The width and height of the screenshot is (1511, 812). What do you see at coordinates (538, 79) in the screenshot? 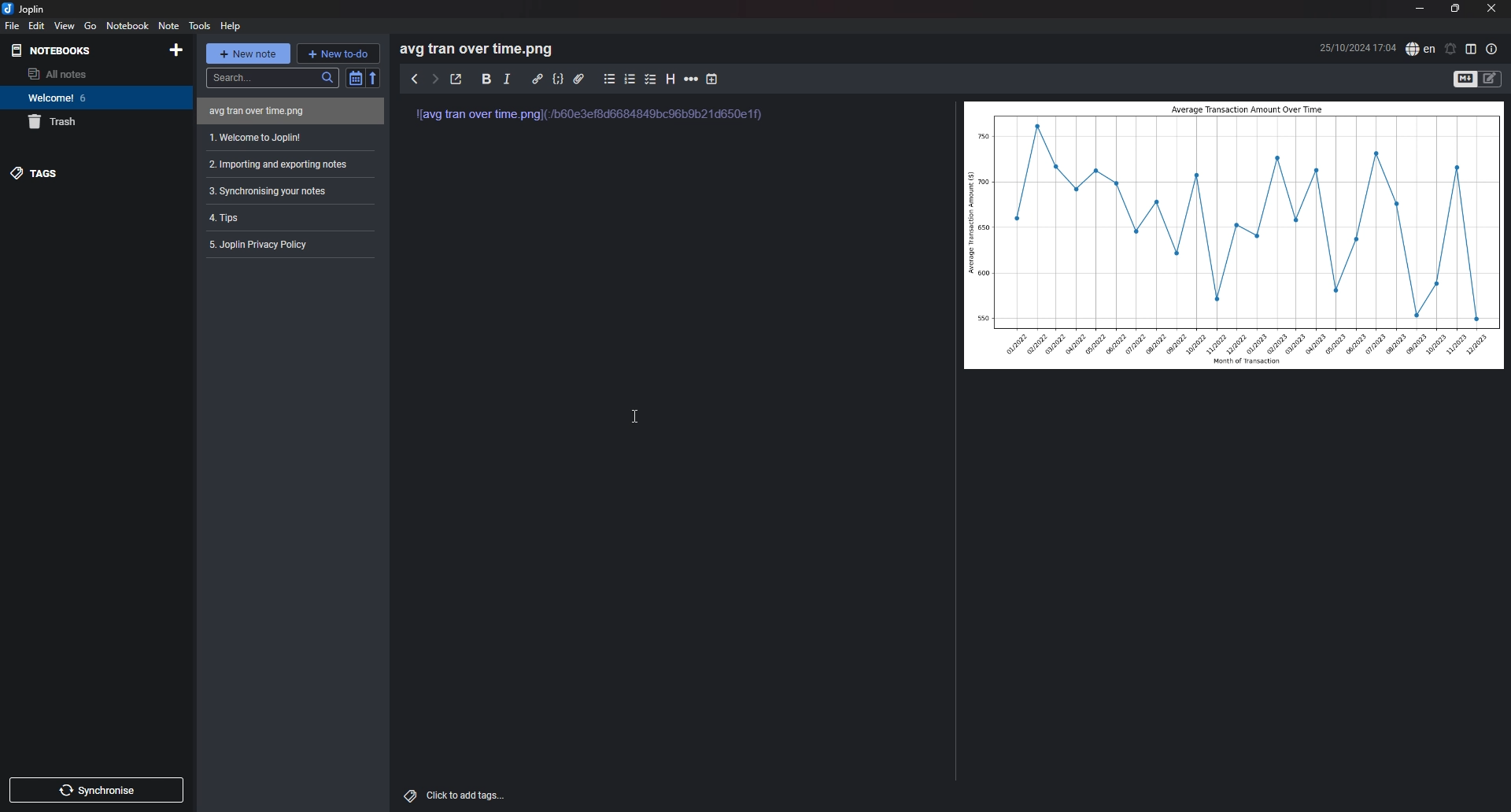
I see `add hyperlink` at bounding box center [538, 79].